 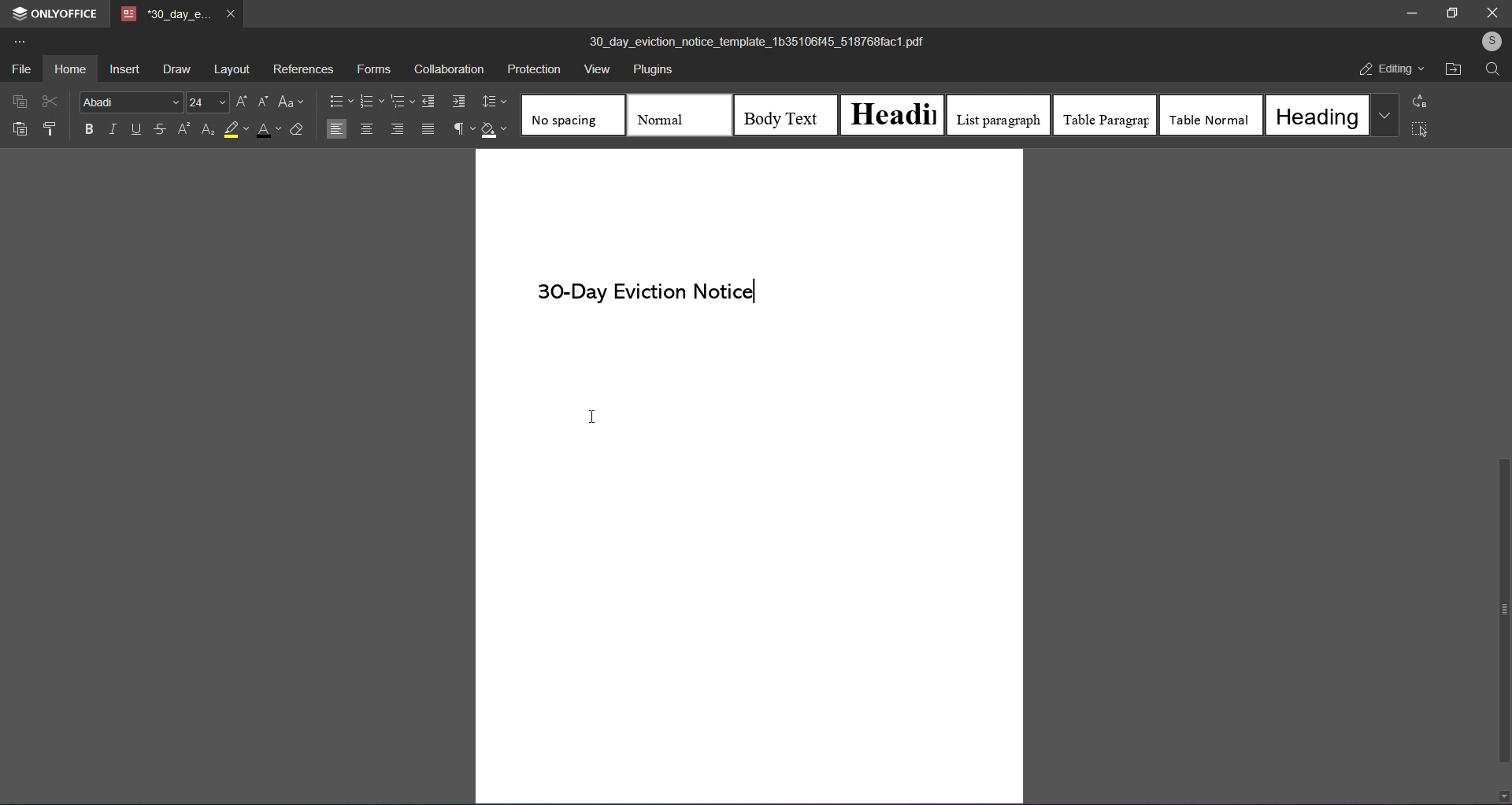 What do you see at coordinates (671, 114) in the screenshot?
I see `normal` at bounding box center [671, 114].